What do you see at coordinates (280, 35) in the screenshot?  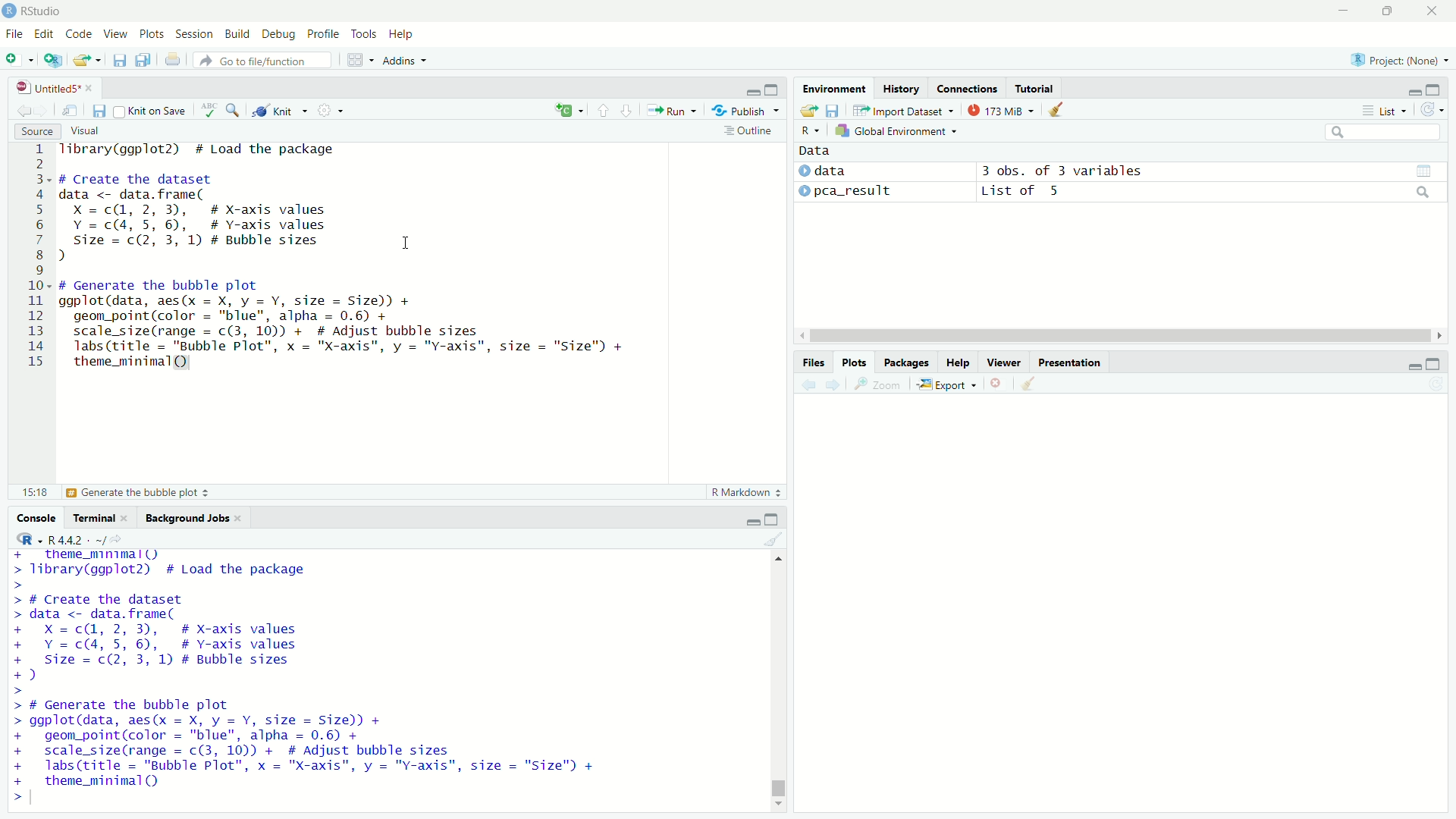 I see `debug` at bounding box center [280, 35].